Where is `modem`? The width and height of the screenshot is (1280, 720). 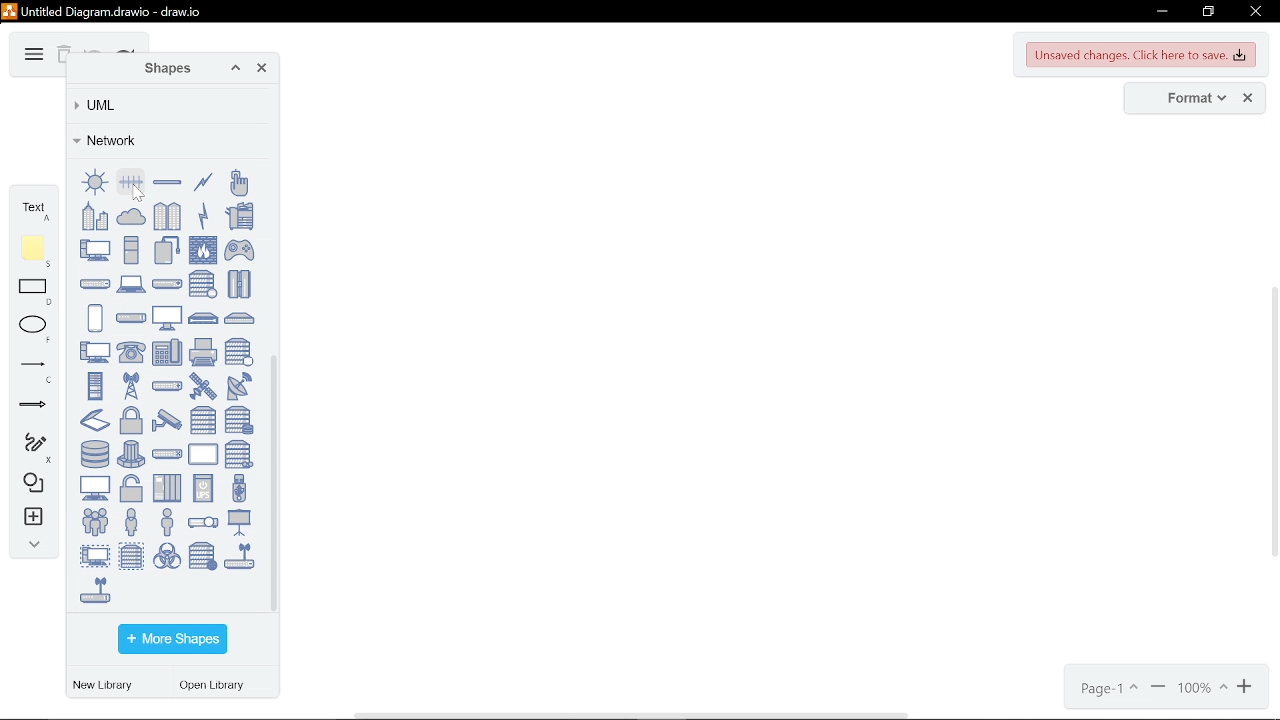
modem is located at coordinates (131, 318).